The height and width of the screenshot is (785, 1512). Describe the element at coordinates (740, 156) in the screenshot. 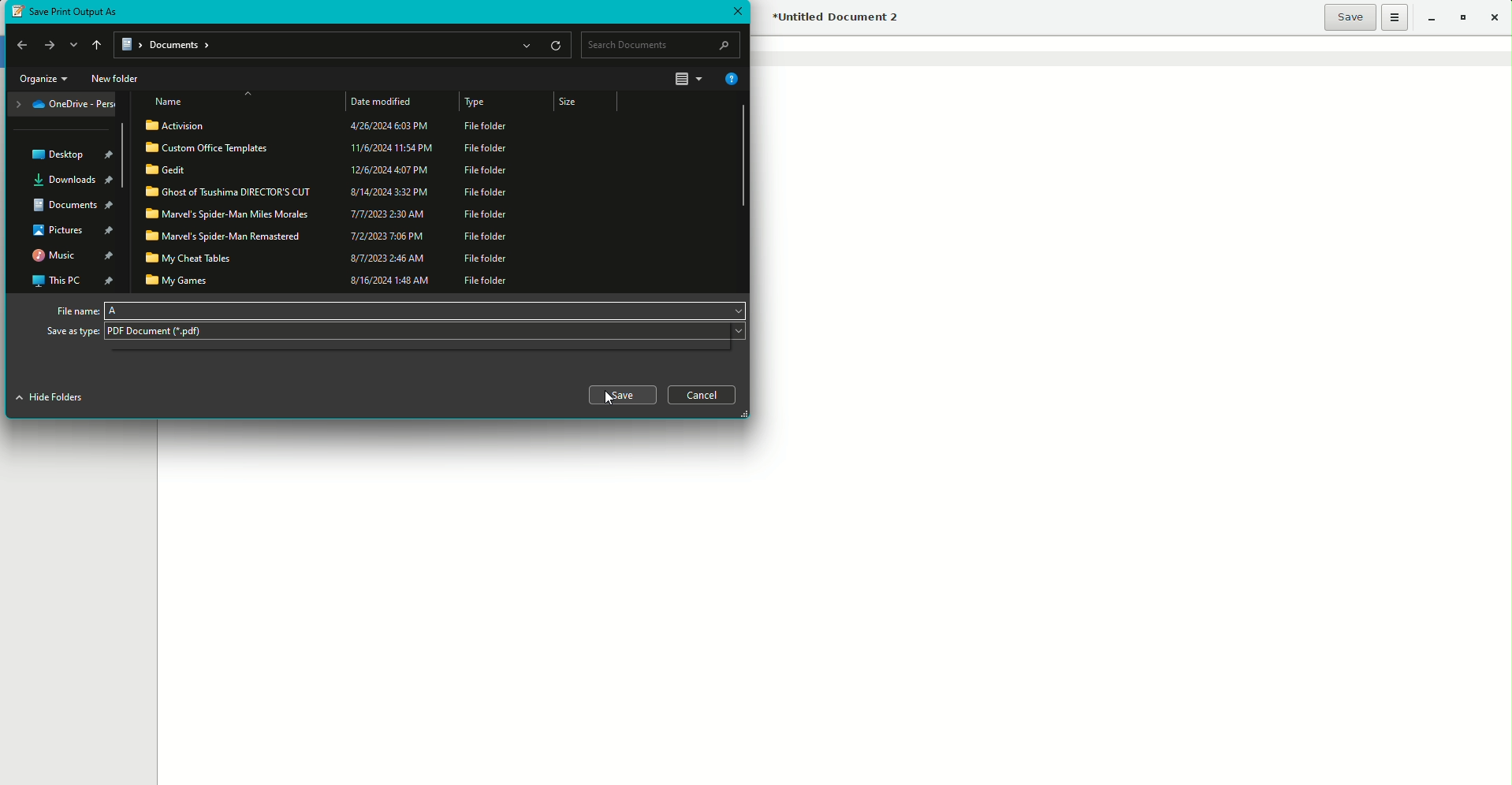

I see `Scroll bar` at that location.